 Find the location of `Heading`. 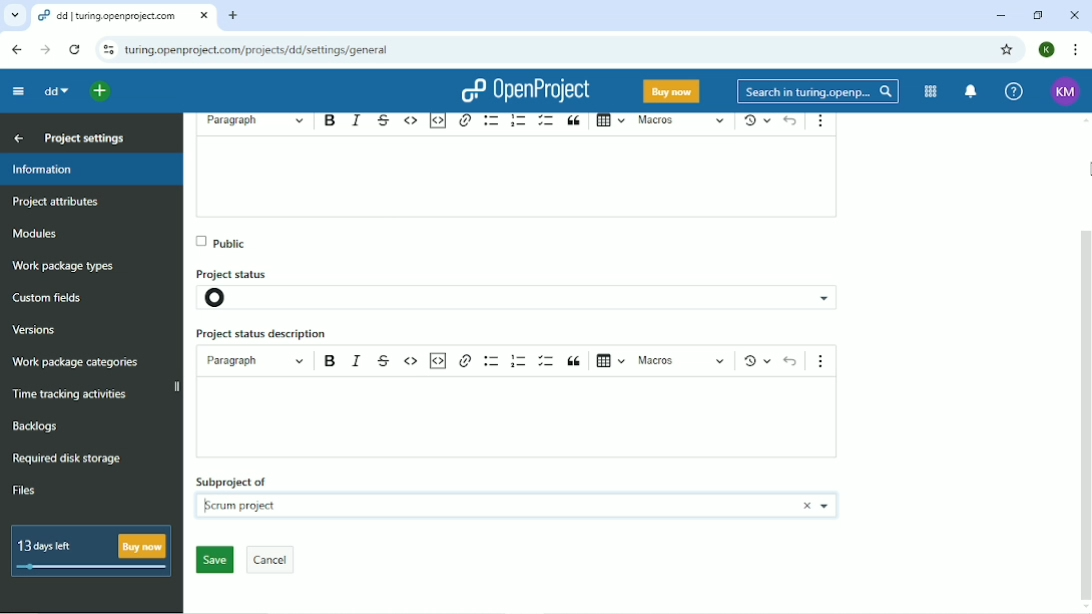

Heading is located at coordinates (258, 122).